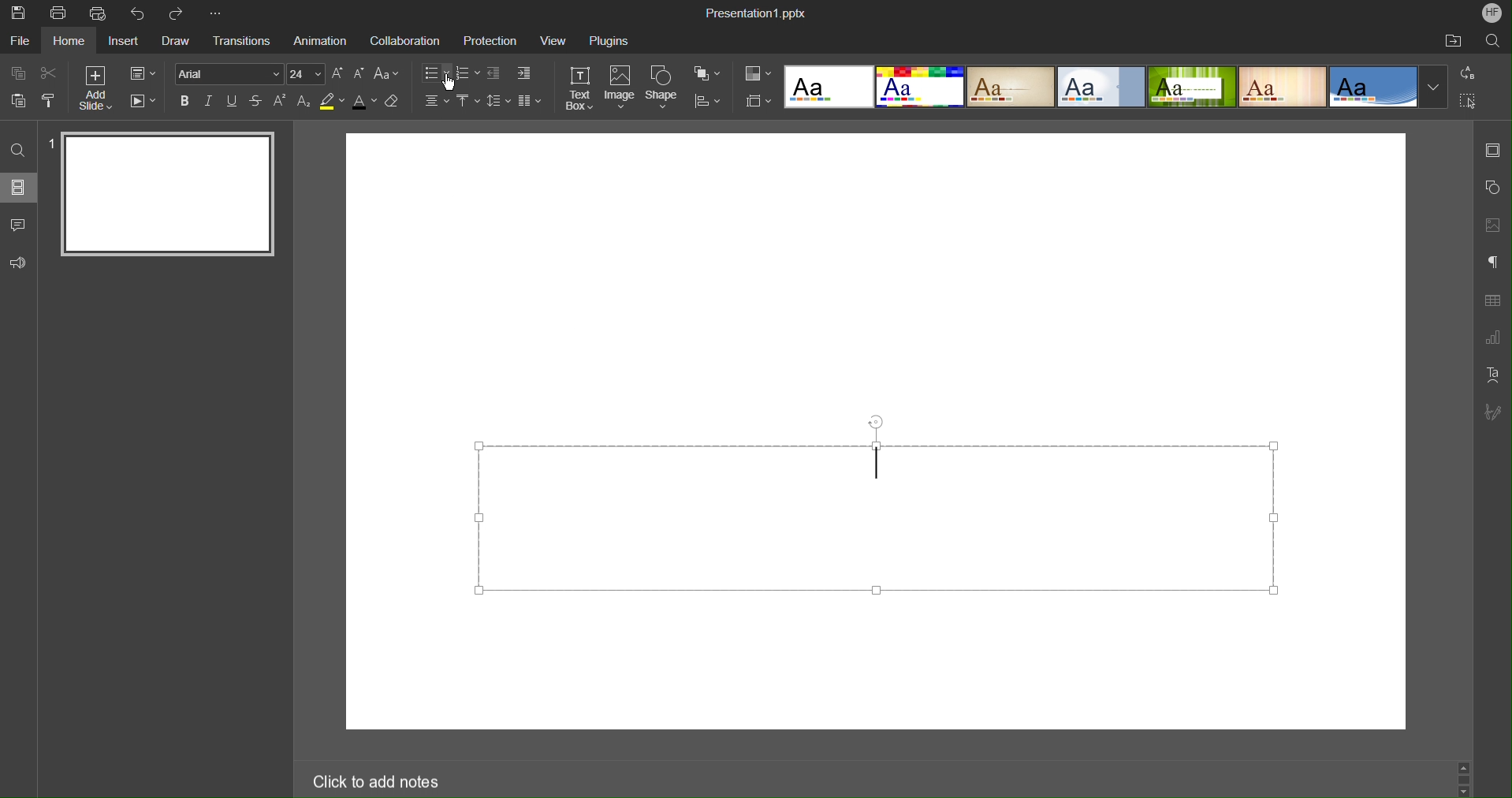 Image resolution: width=1512 pixels, height=798 pixels. Describe the element at coordinates (1463, 766) in the screenshot. I see `scroll up` at that location.